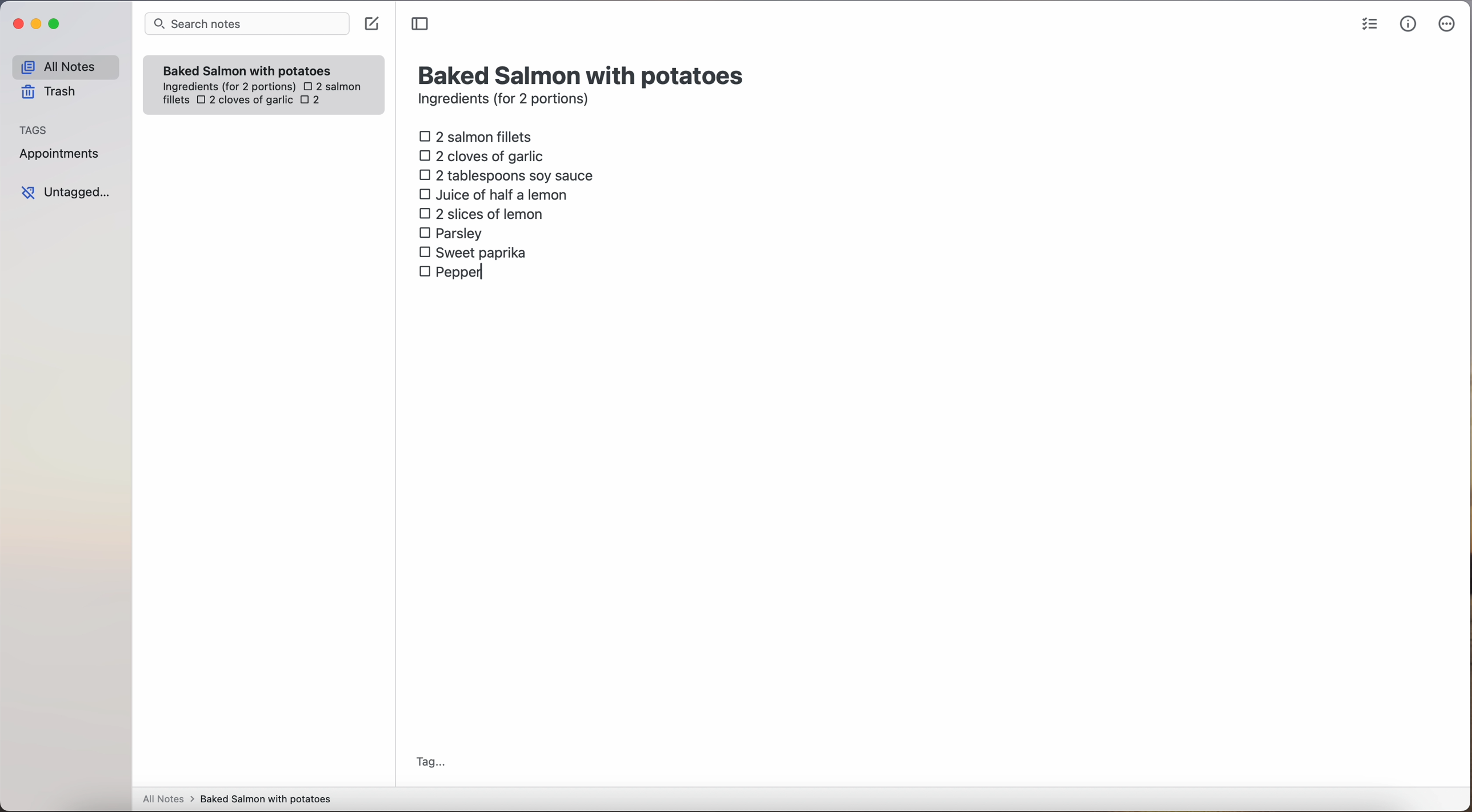 This screenshot has width=1472, height=812. What do you see at coordinates (65, 66) in the screenshot?
I see `all notes` at bounding box center [65, 66].